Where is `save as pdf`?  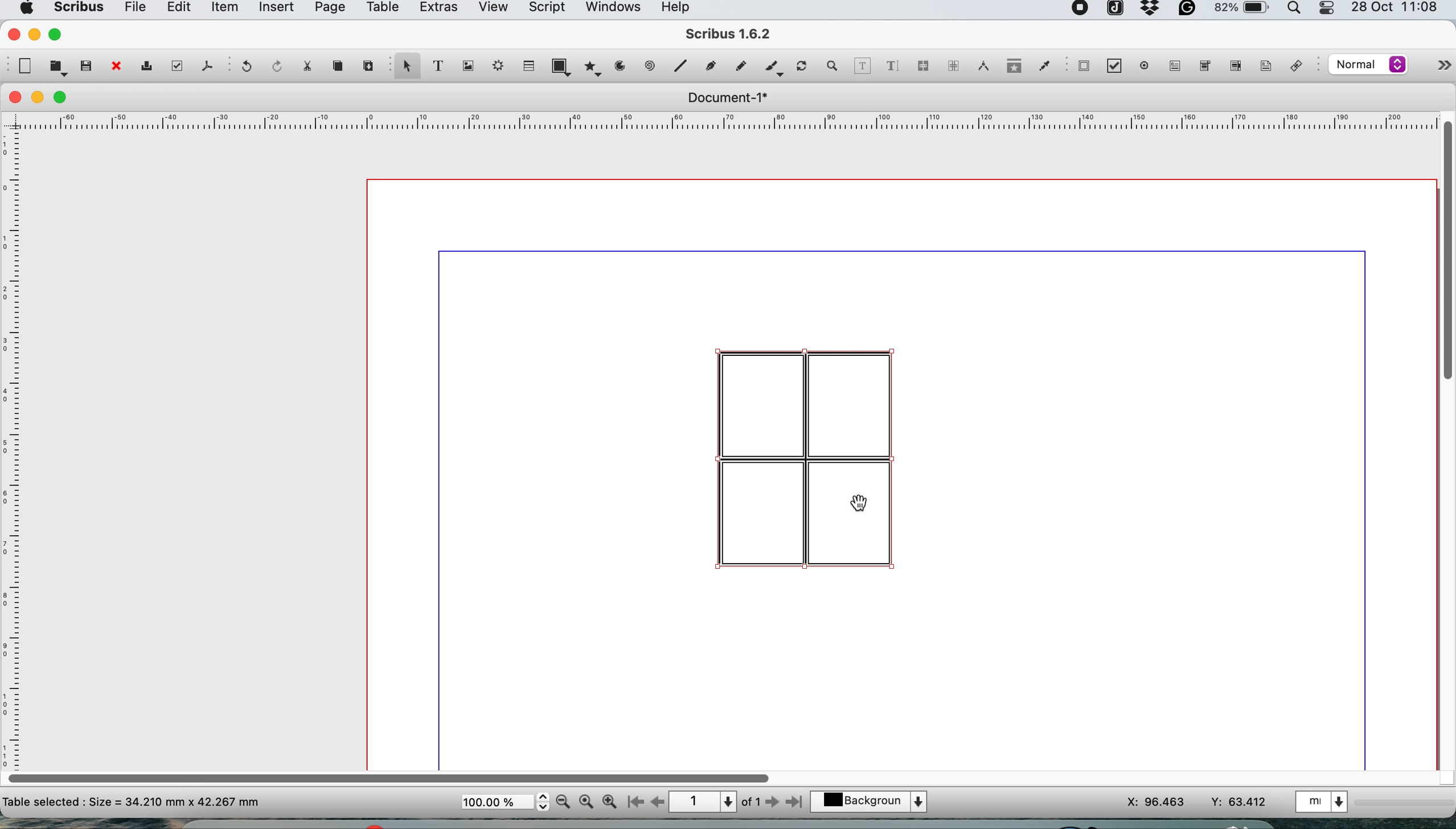 save as pdf is located at coordinates (206, 65).